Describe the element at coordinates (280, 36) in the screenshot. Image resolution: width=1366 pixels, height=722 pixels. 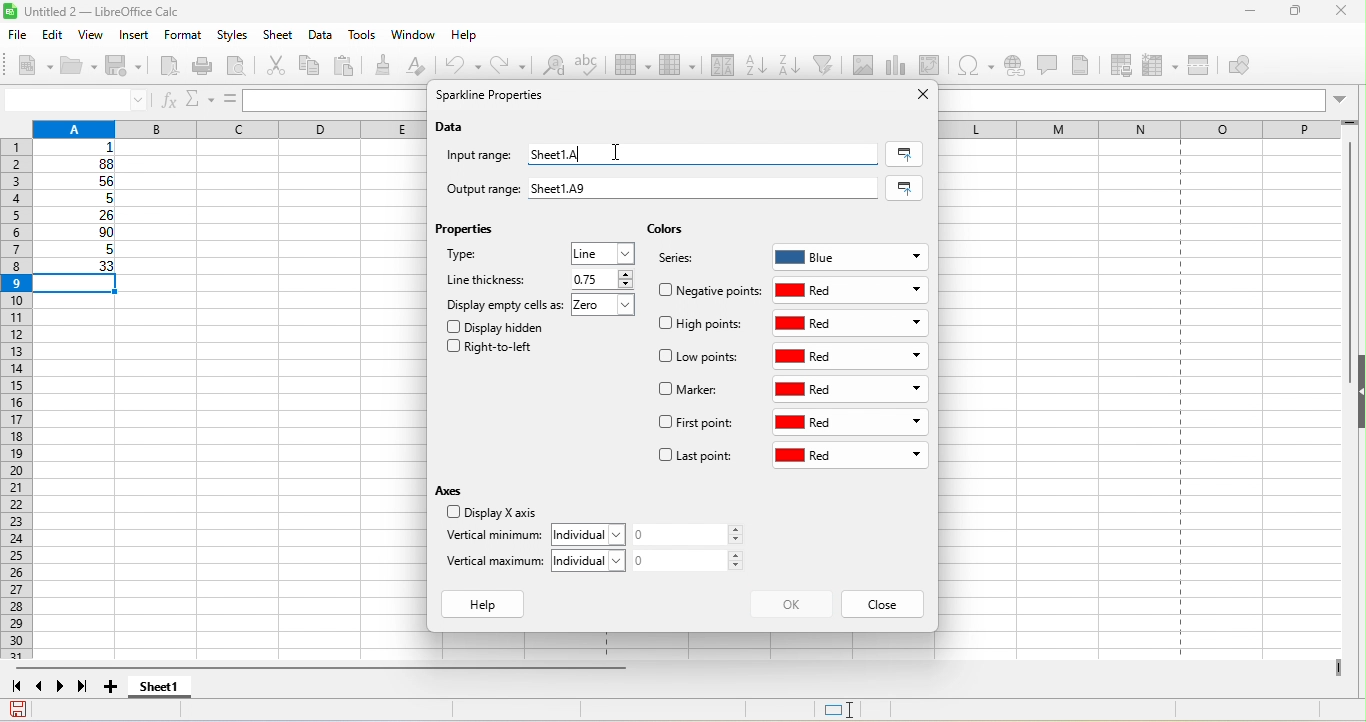
I see `sheet` at that location.